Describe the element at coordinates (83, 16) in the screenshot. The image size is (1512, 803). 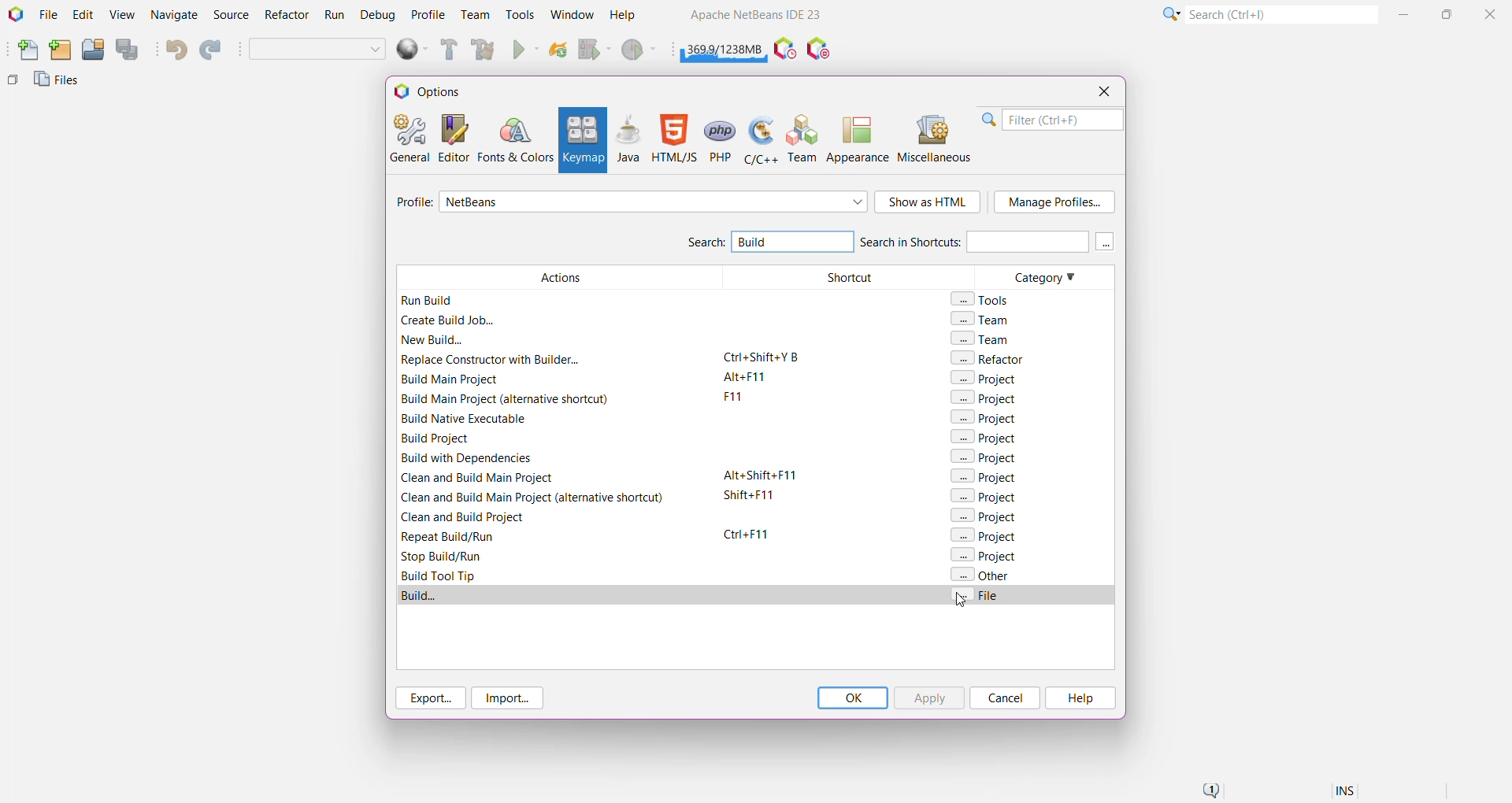
I see `Edit` at that location.